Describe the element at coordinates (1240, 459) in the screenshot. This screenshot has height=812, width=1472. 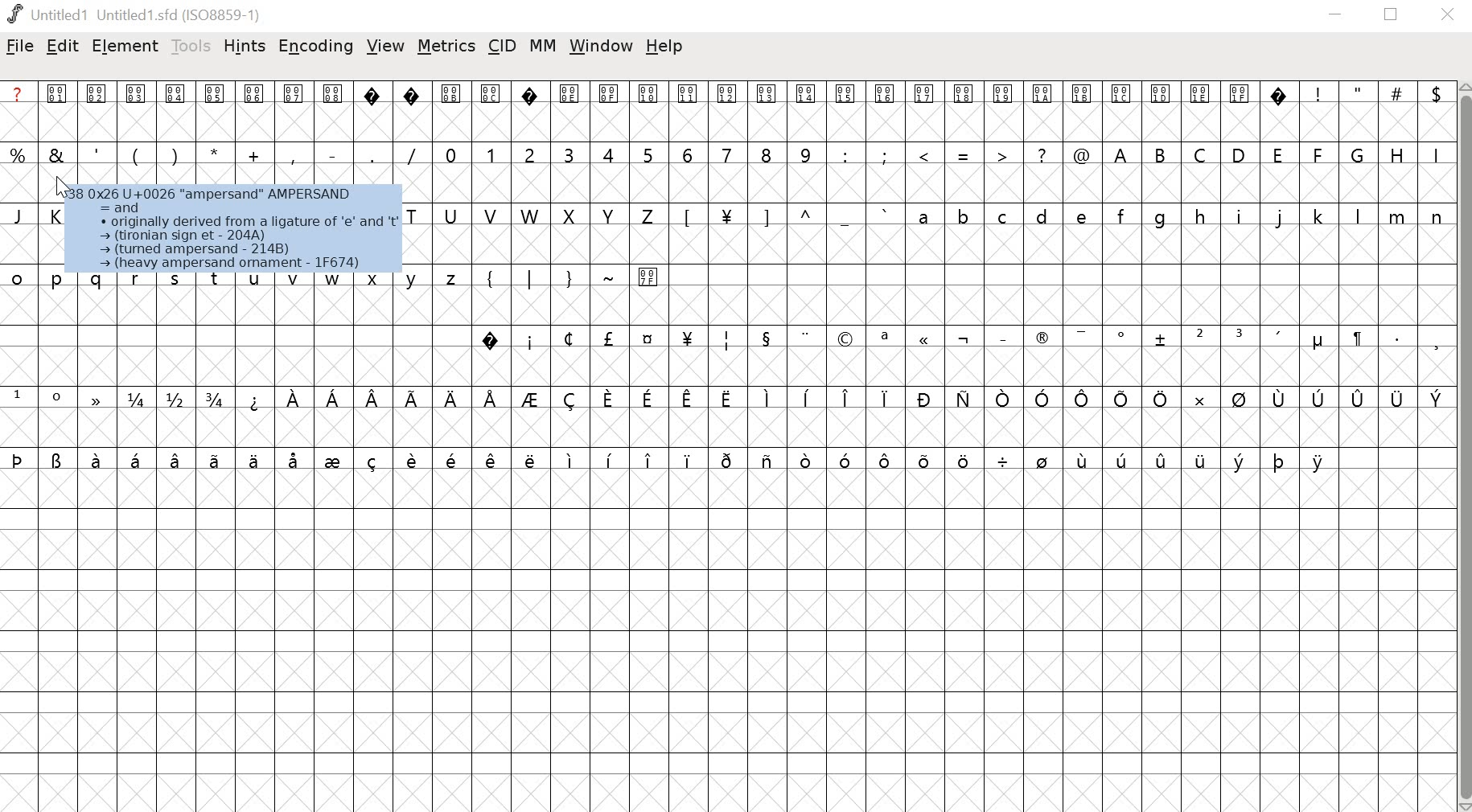
I see `symbol` at that location.